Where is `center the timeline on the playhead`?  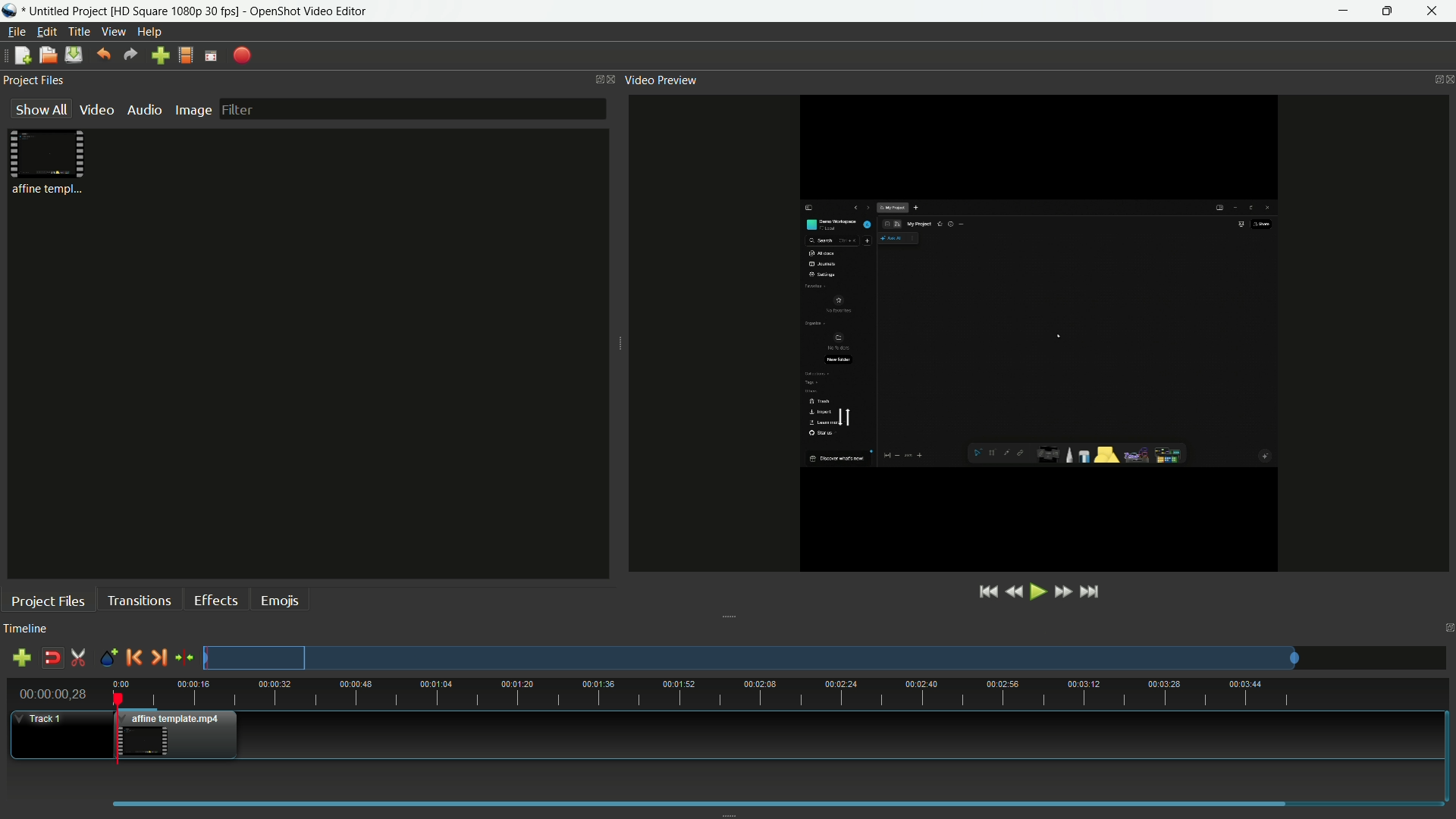
center the timeline on the playhead is located at coordinates (184, 657).